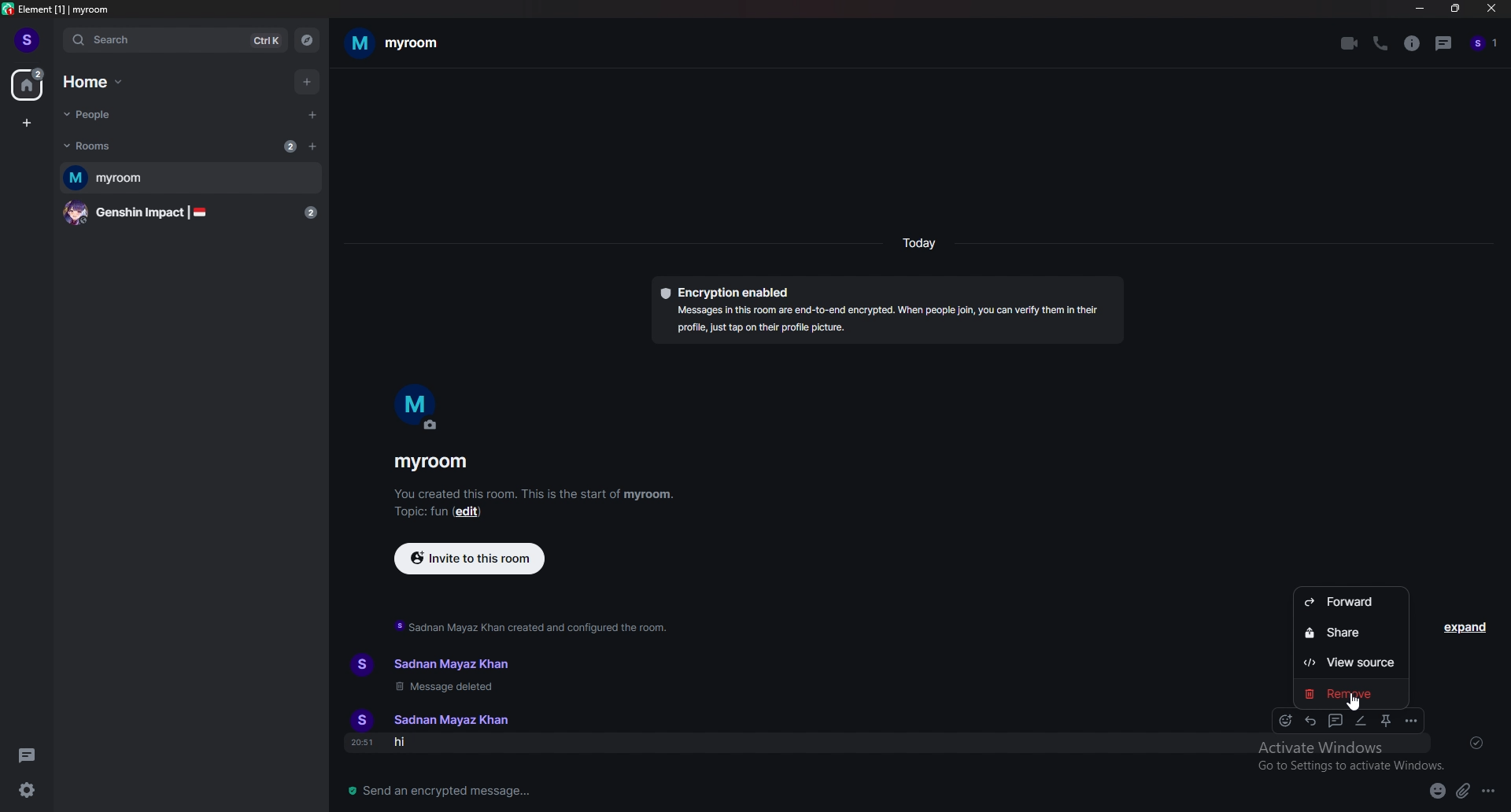 This screenshot has width=1511, height=812. Describe the element at coordinates (194, 213) in the screenshot. I see `genshin impact |` at that location.